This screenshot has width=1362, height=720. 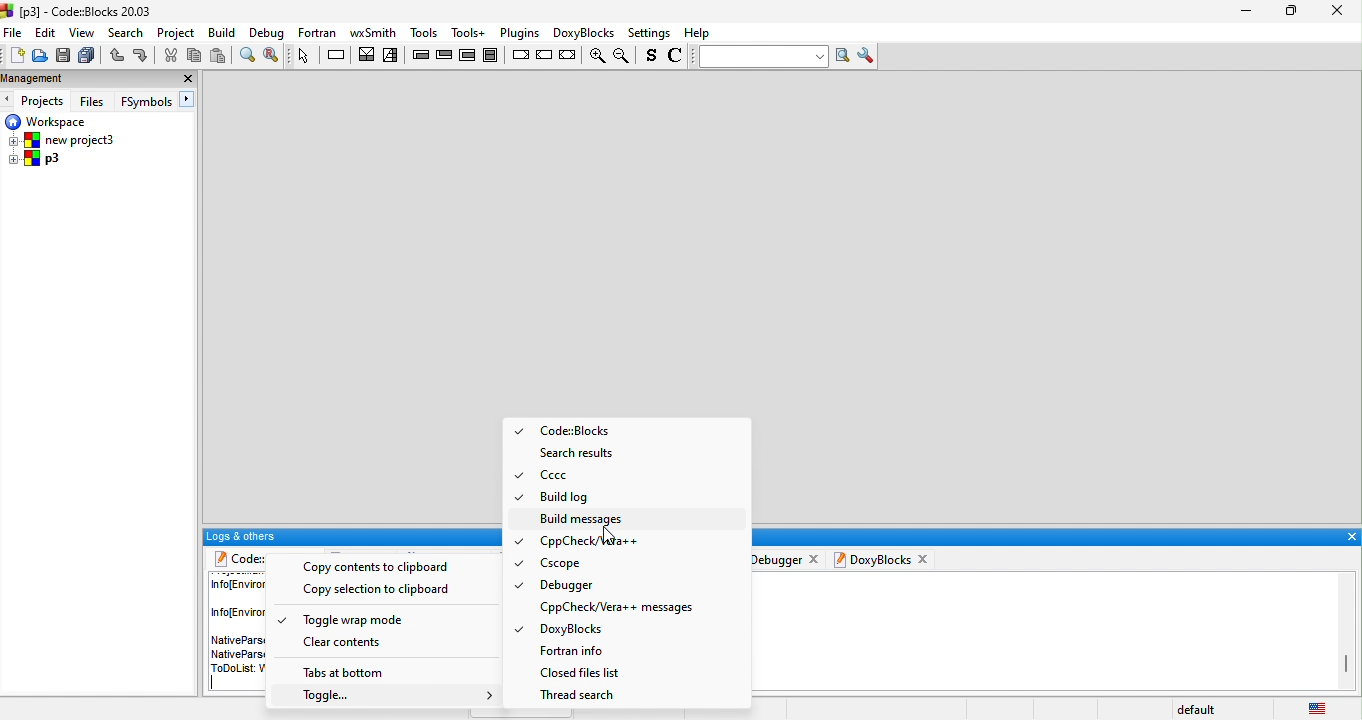 I want to click on minimize, so click(x=1245, y=13).